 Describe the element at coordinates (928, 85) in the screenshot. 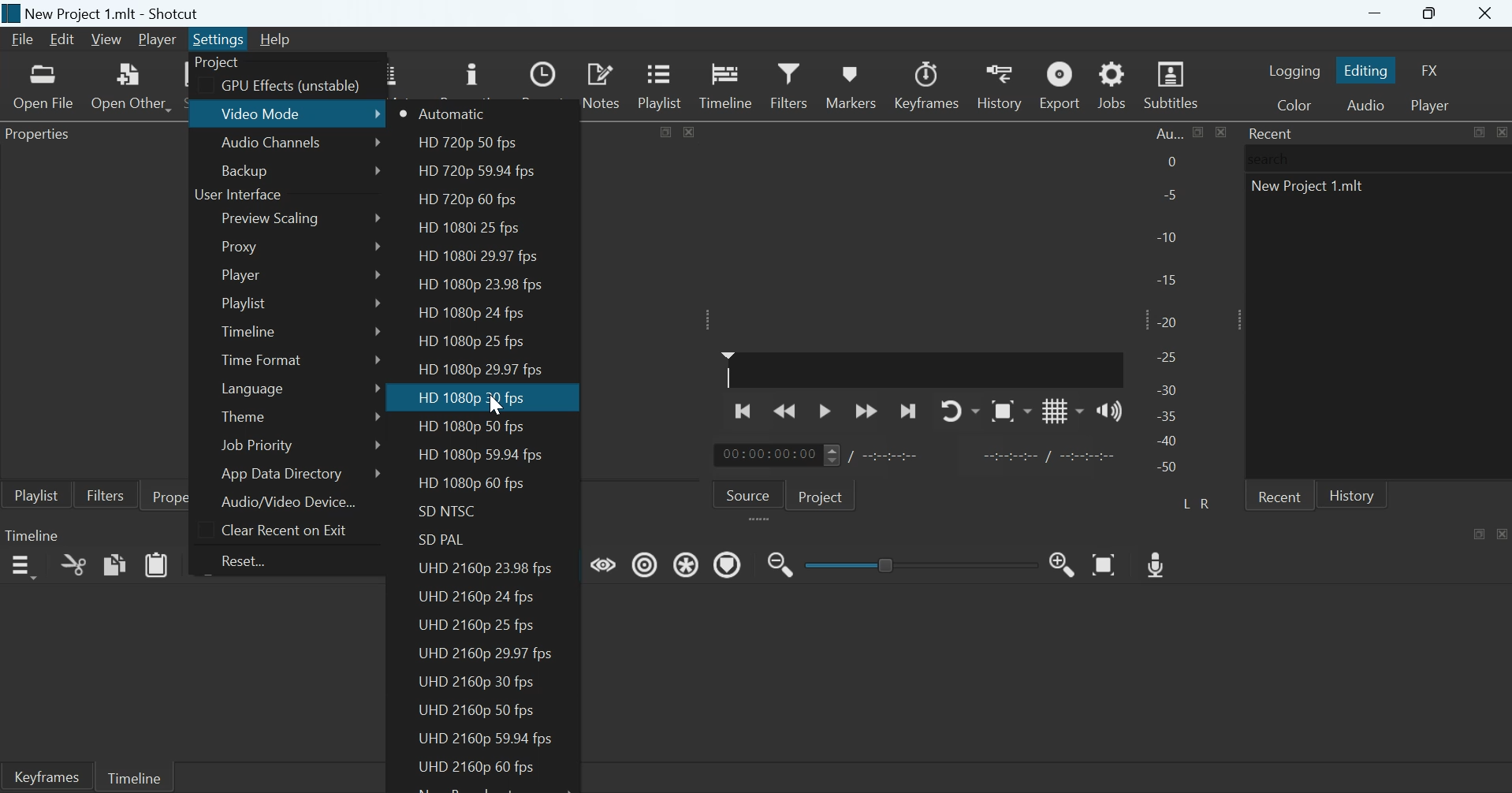

I see `Keyframes` at that location.